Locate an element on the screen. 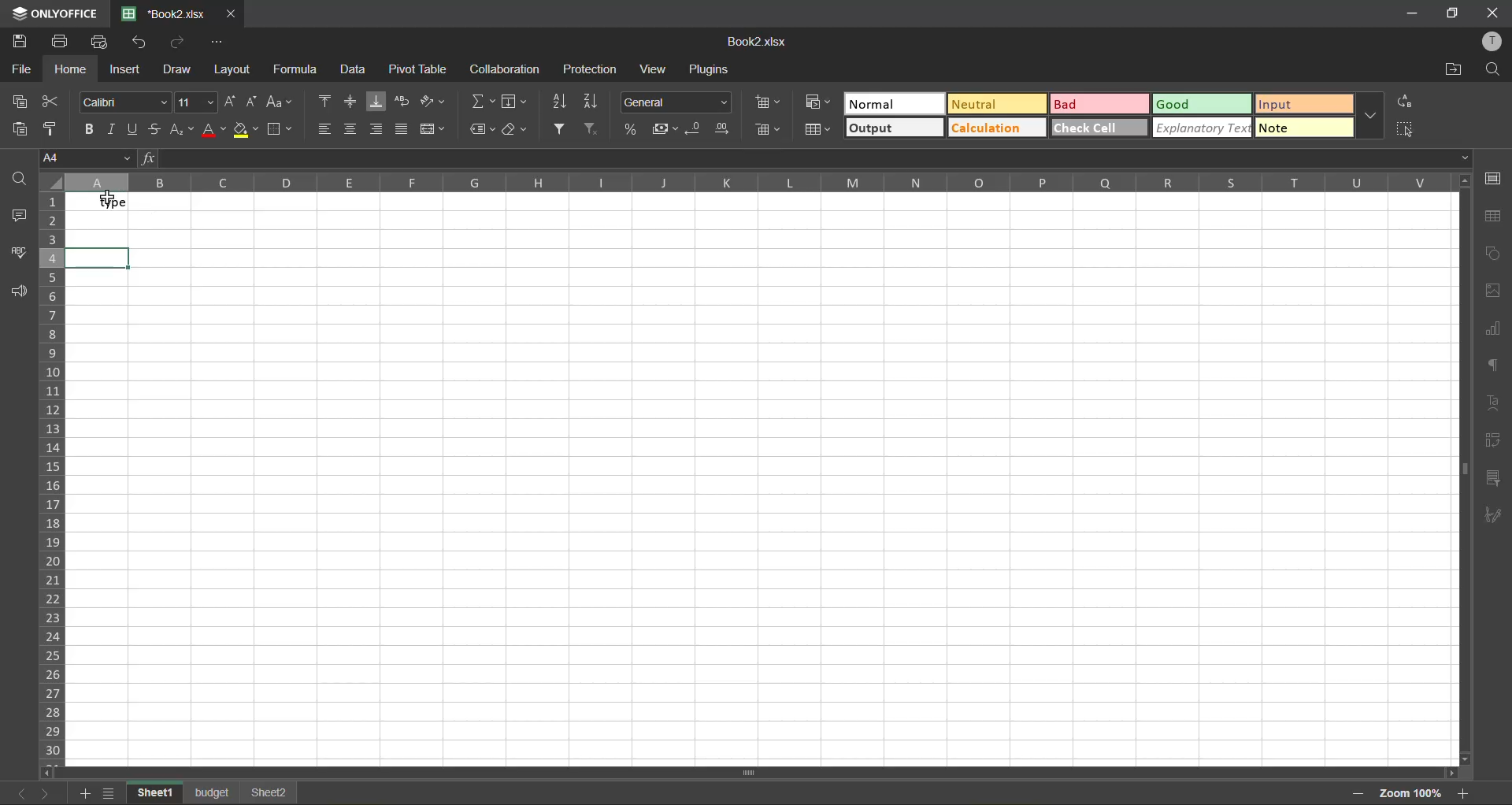 The width and height of the screenshot is (1512, 805). wrap text is located at coordinates (406, 98).